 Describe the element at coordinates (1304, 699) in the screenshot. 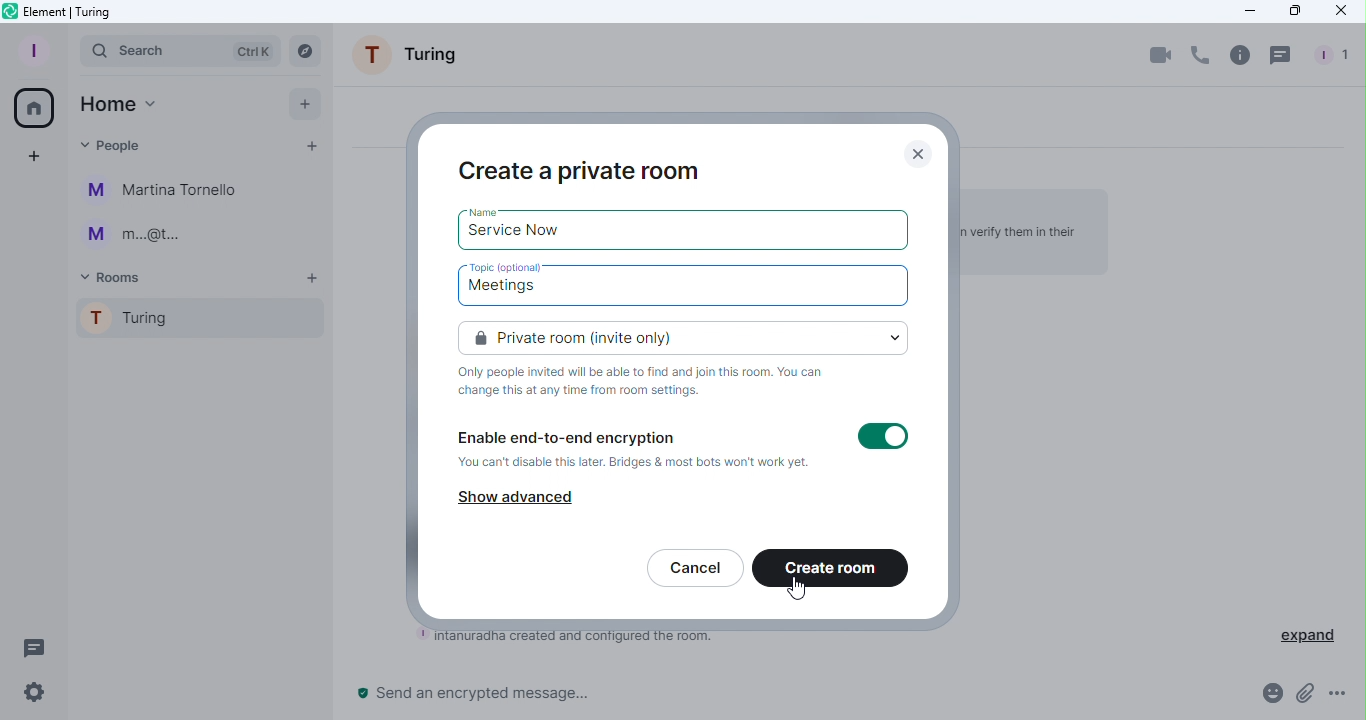

I see `Attachment` at that location.